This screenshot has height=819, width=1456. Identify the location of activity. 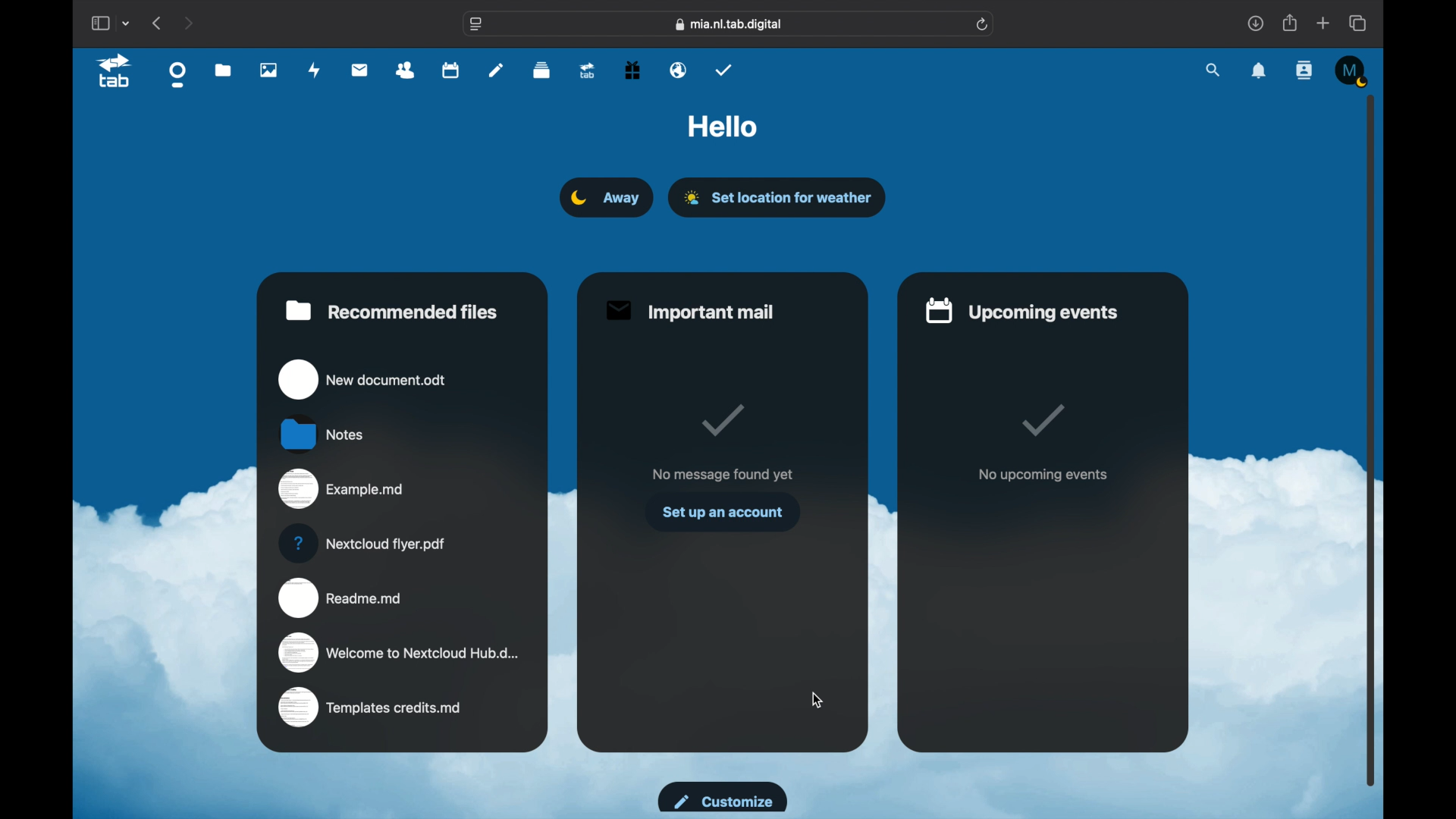
(317, 70).